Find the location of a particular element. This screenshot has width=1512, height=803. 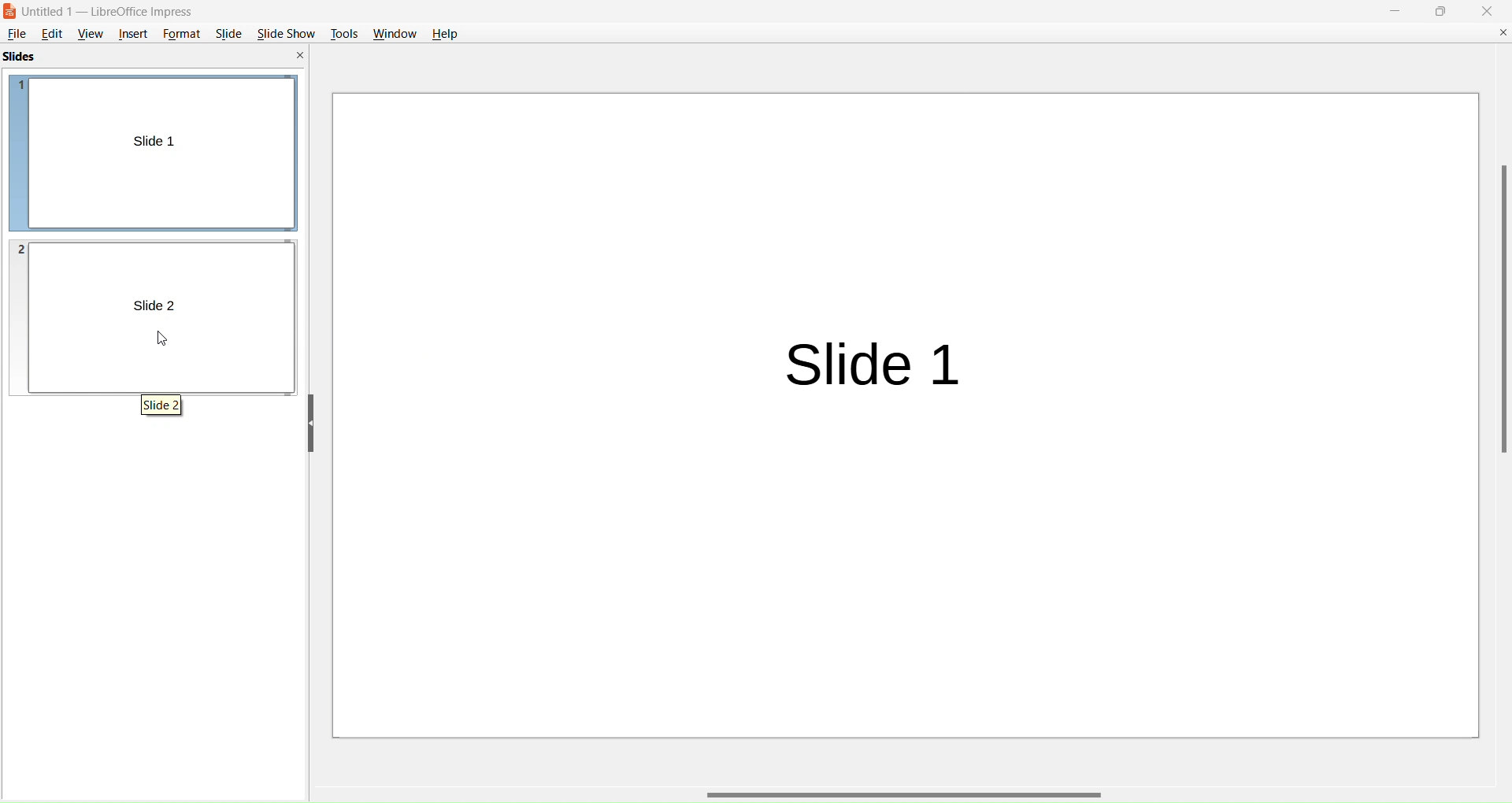

slide 1 is located at coordinates (166, 142).